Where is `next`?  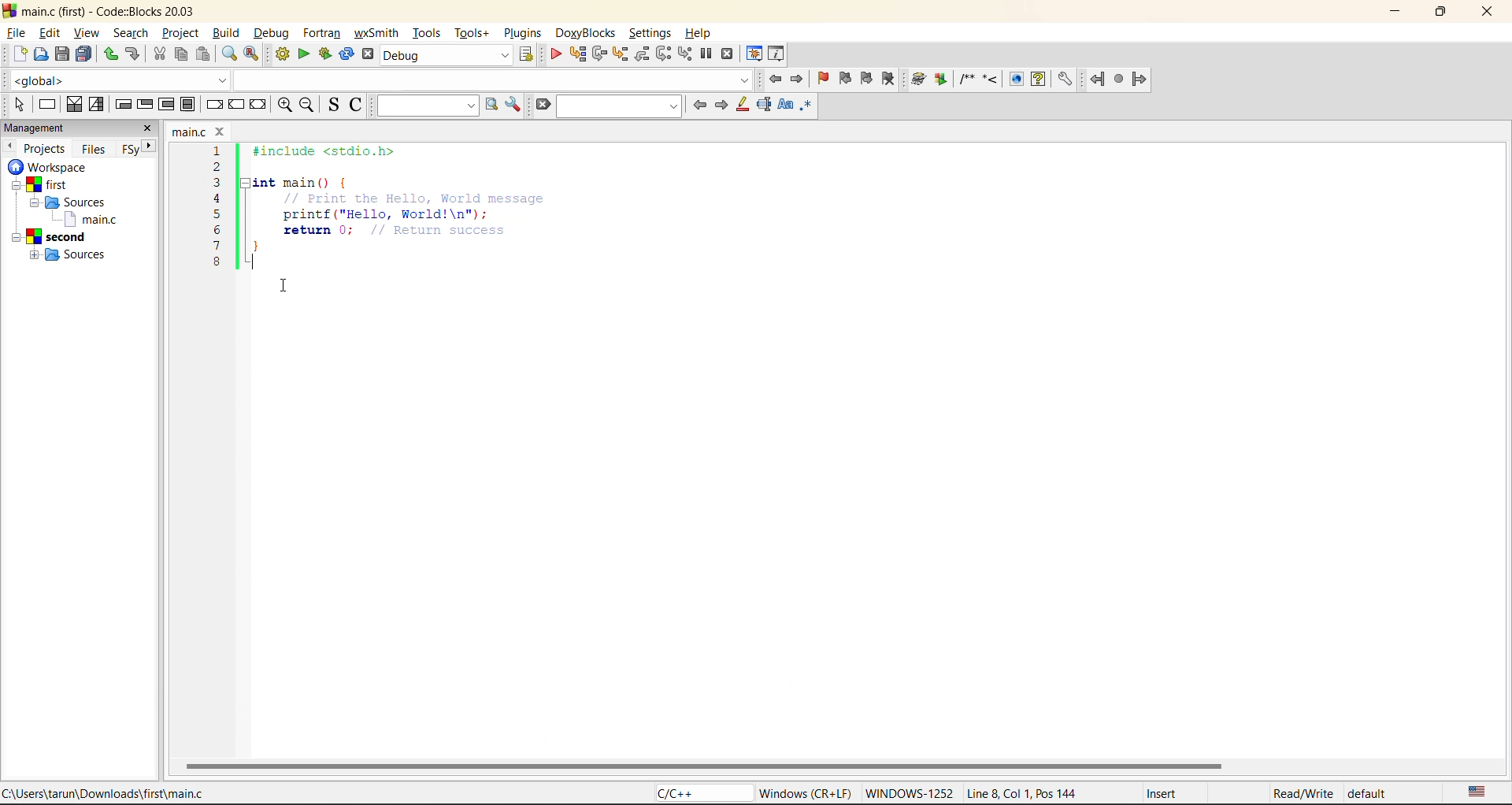
next is located at coordinates (722, 106).